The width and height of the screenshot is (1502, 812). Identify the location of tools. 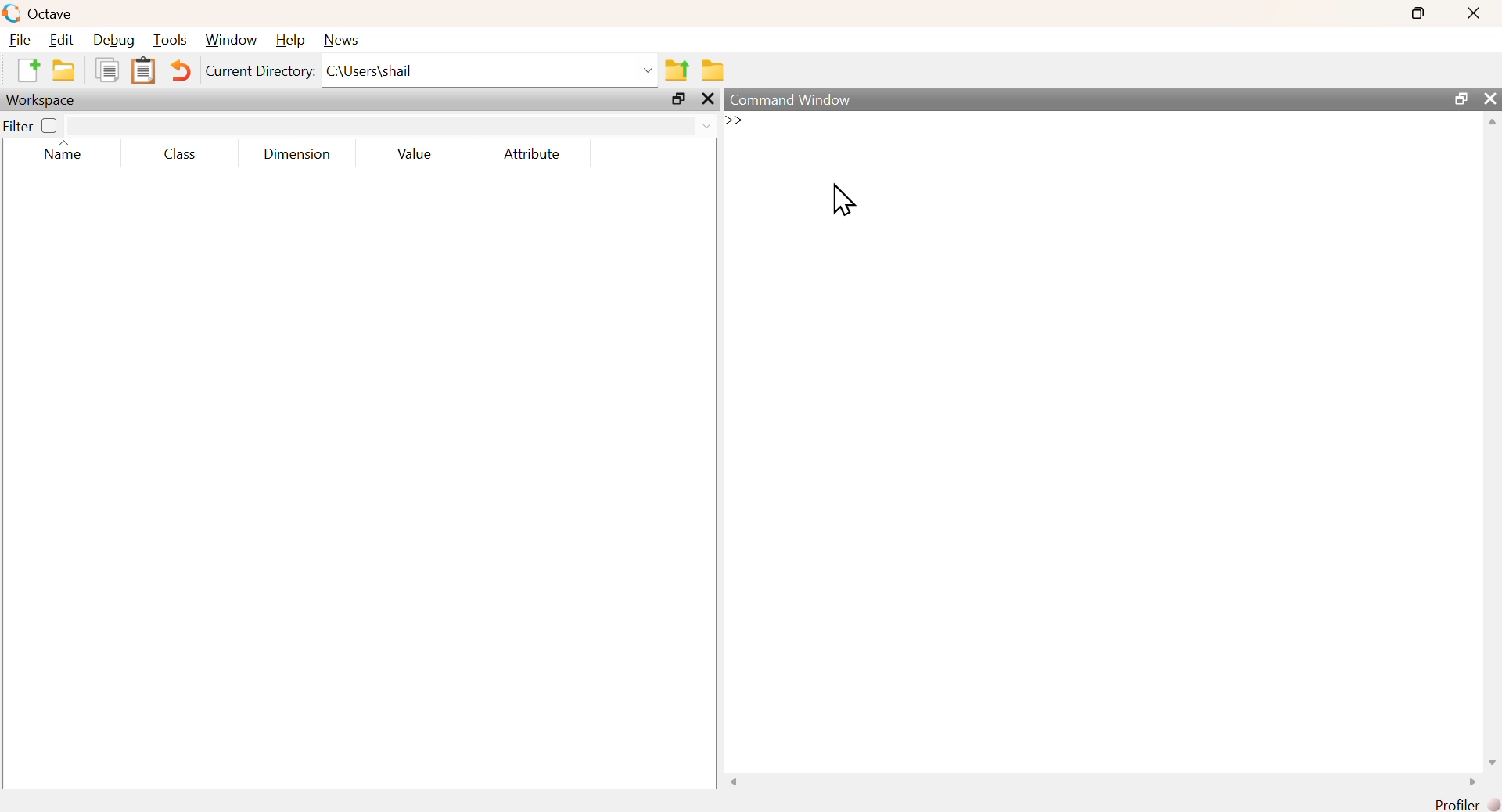
(171, 40).